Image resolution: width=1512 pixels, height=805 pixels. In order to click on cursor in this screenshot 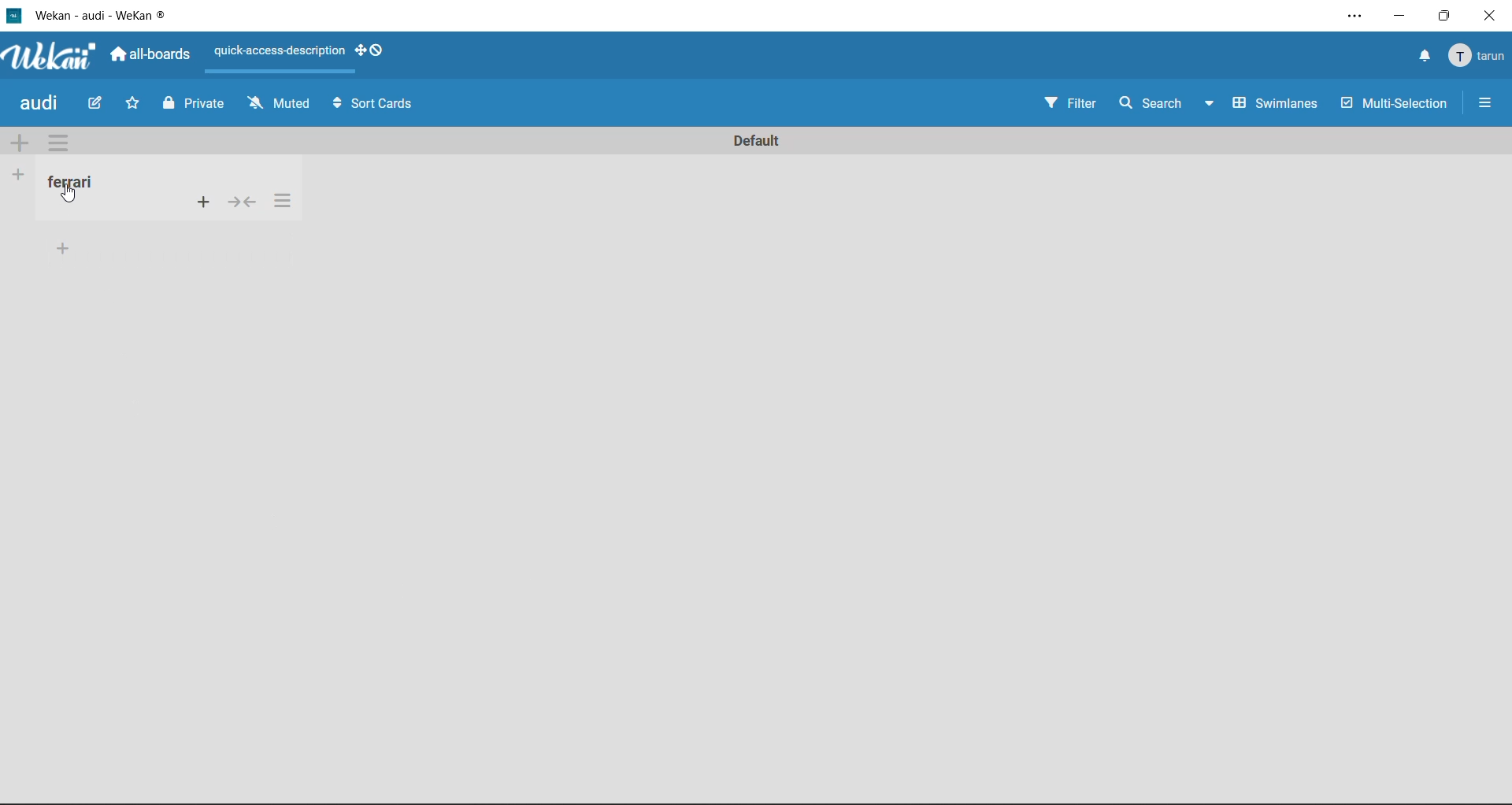, I will do `click(74, 195)`.